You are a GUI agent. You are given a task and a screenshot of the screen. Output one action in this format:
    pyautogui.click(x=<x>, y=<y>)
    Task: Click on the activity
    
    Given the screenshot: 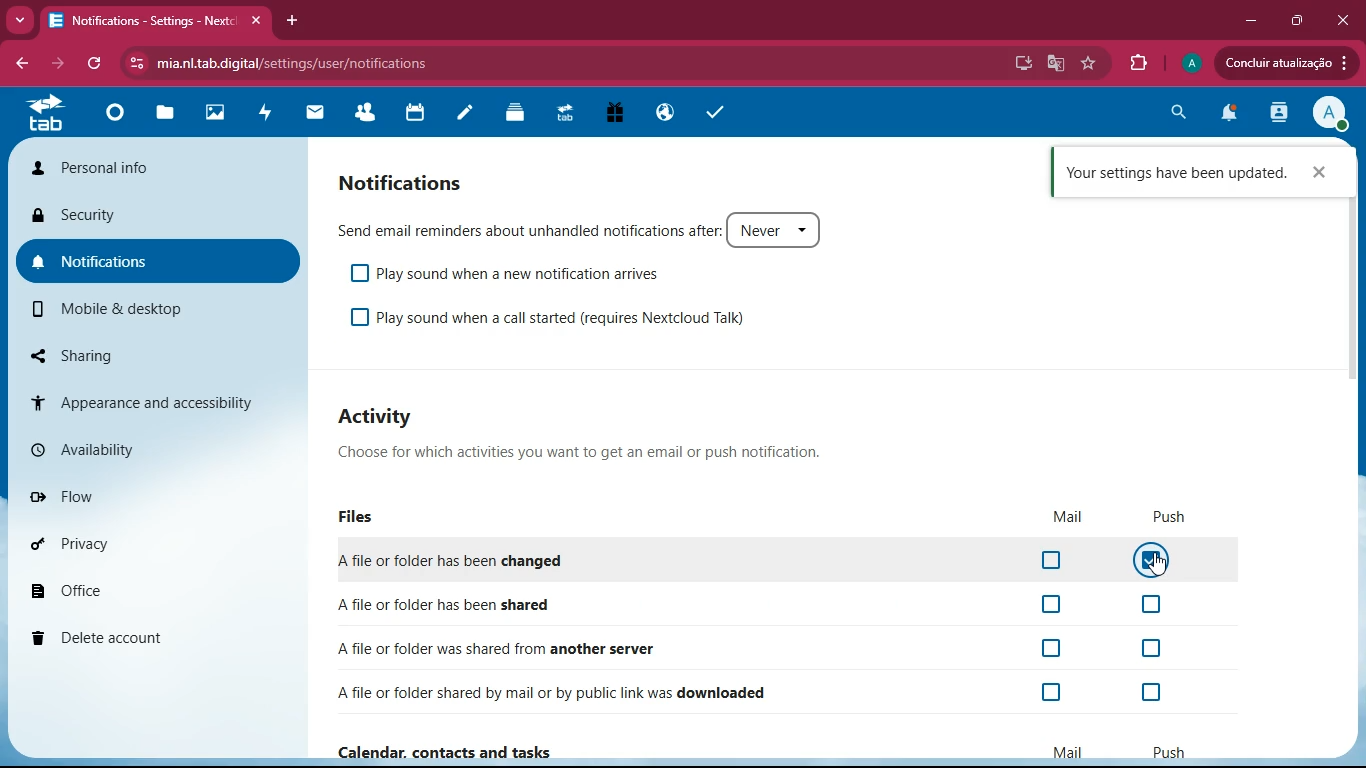 What is the action you would take?
    pyautogui.click(x=390, y=414)
    